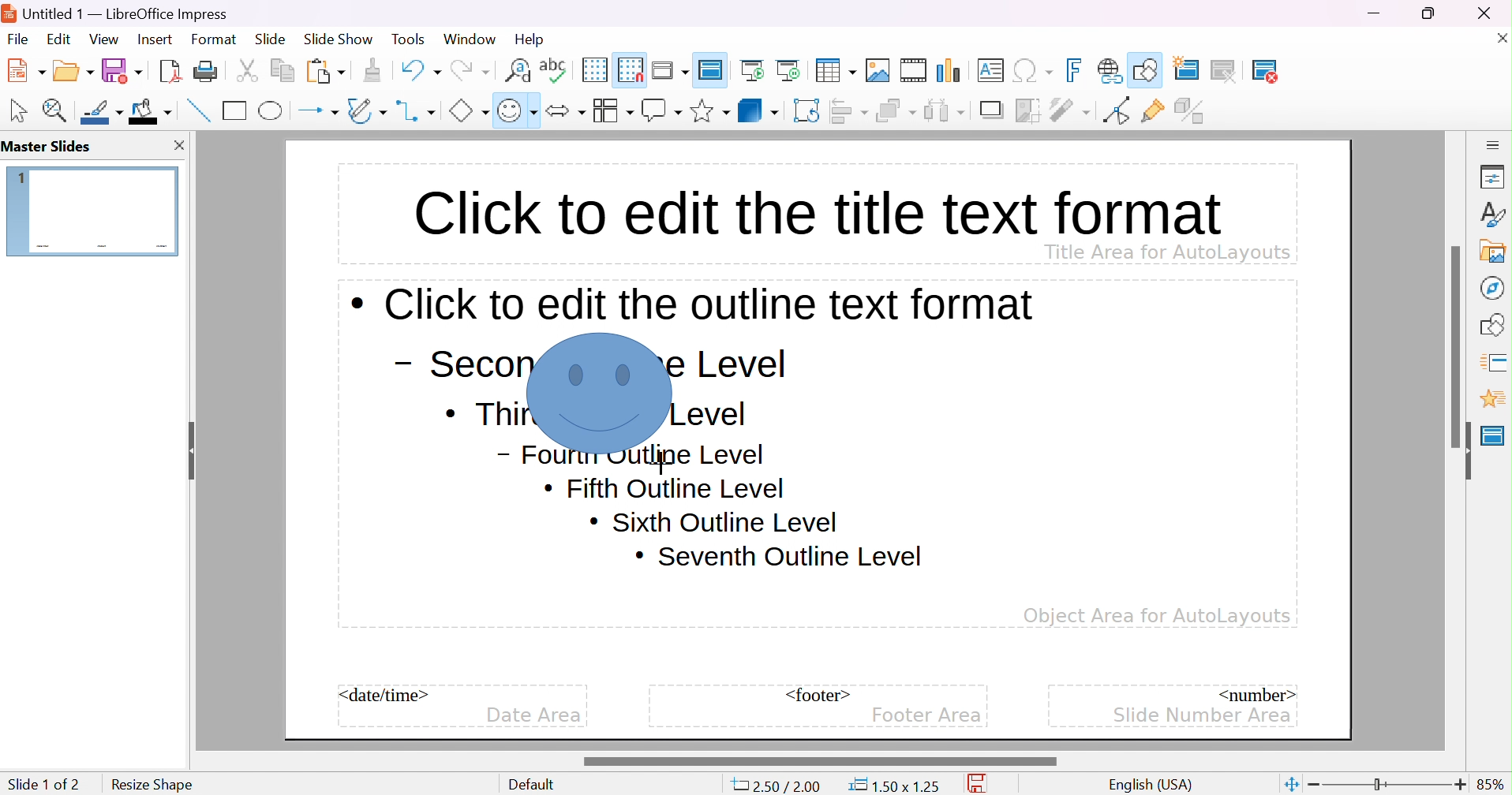  What do you see at coordinates (709, 111) in the screenshot?
I see `shapes and banners` at bounding box center [709, 111].